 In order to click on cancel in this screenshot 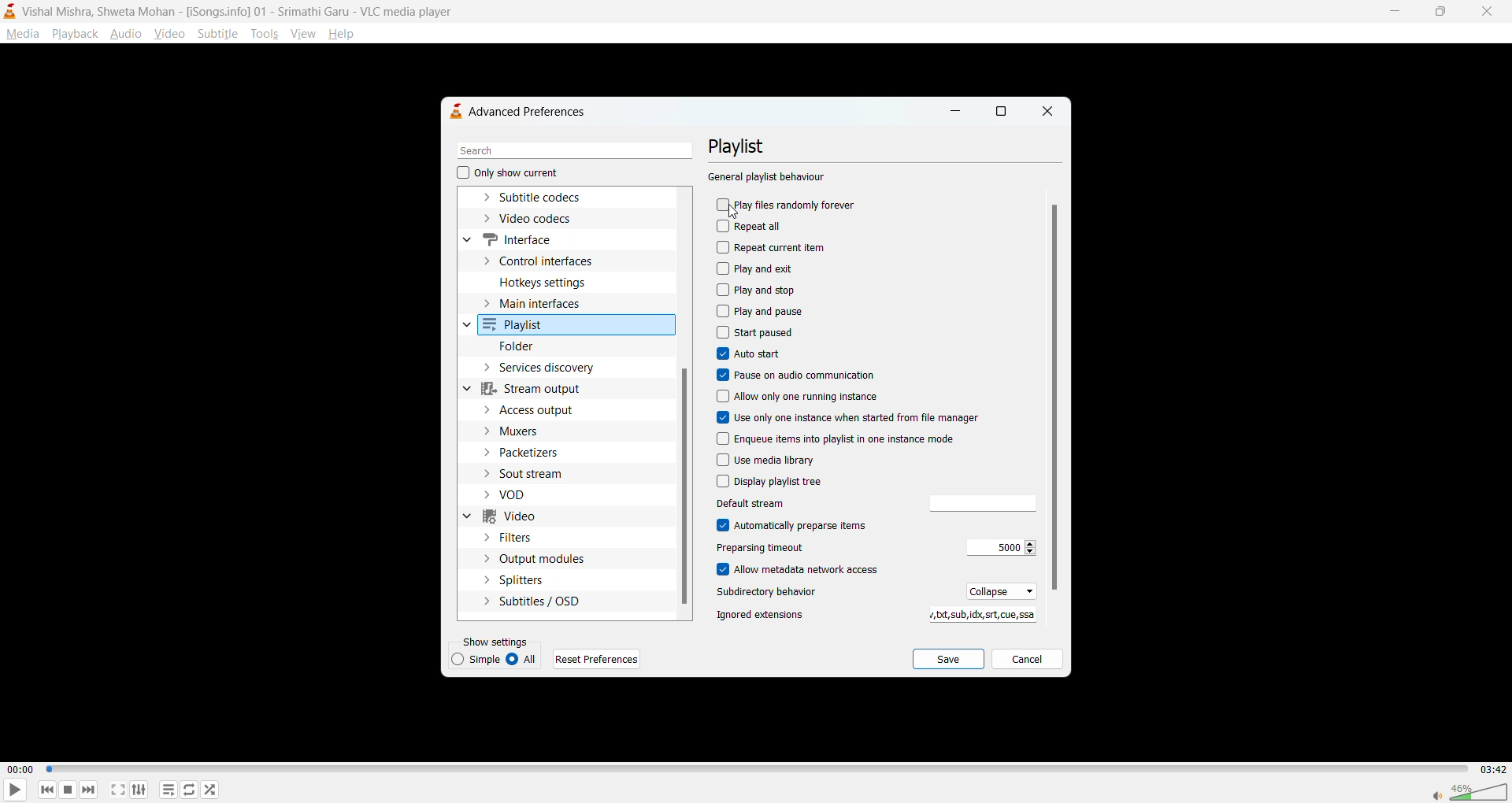, I will do `click(1027, 661)`.